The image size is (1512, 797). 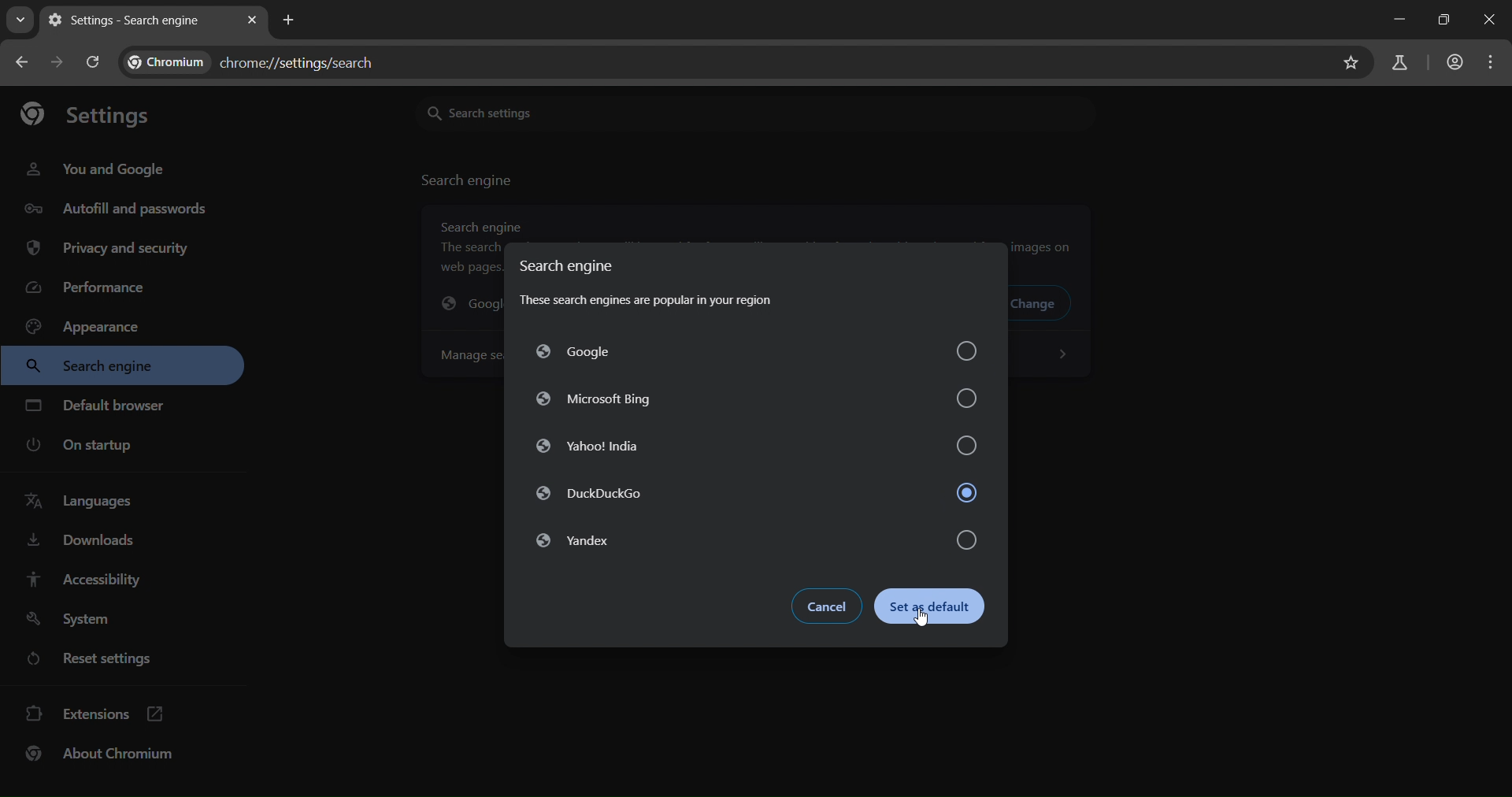 What do you see at coordinates (94, 63) in the screenshot?
I see `reload page` at bounding box center [94, 63].